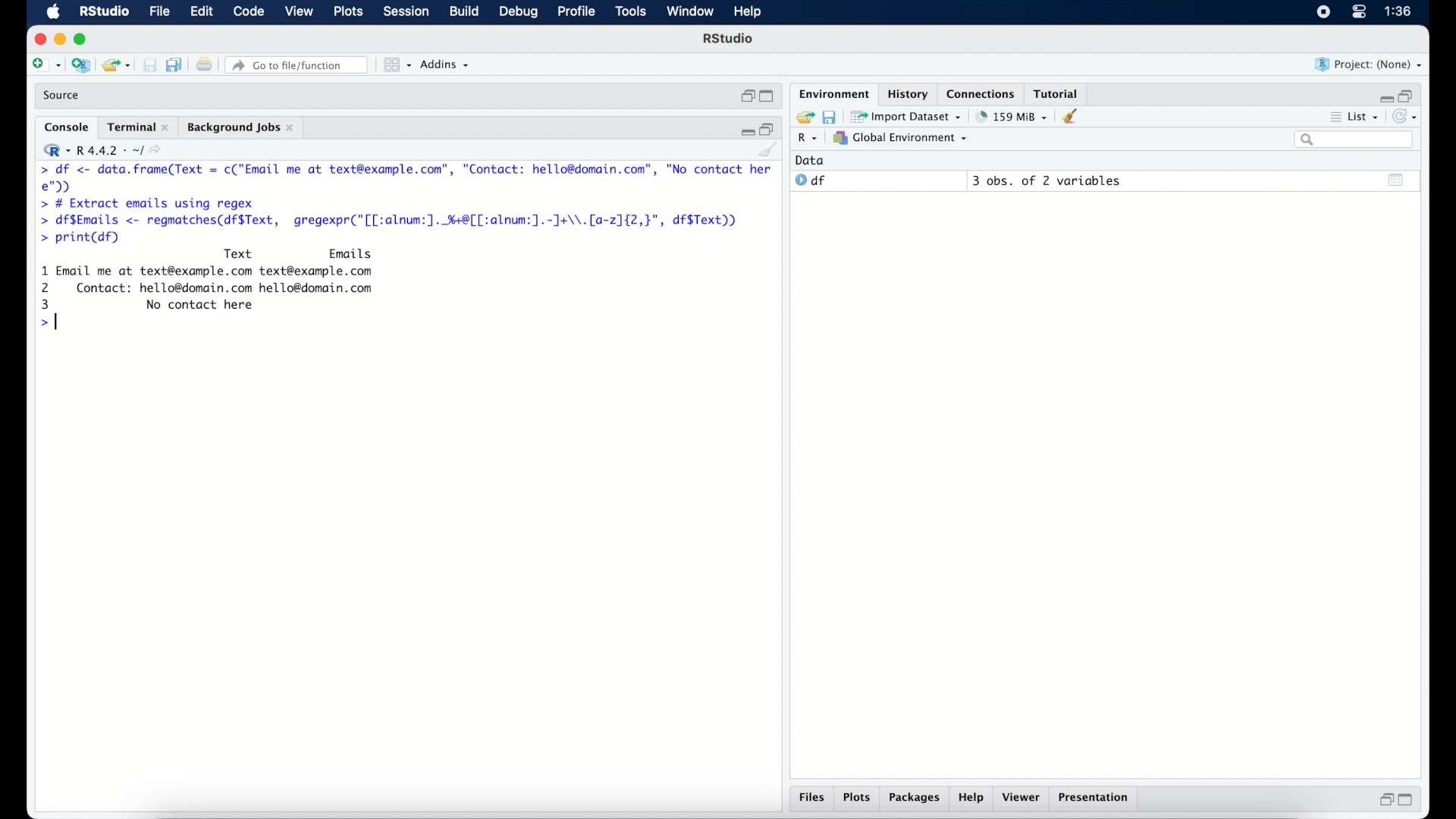 This screenshot has height=819, width=1456. Describe the element at coordinates (80, 64) in the screenshot. I see `create new project` at that location.